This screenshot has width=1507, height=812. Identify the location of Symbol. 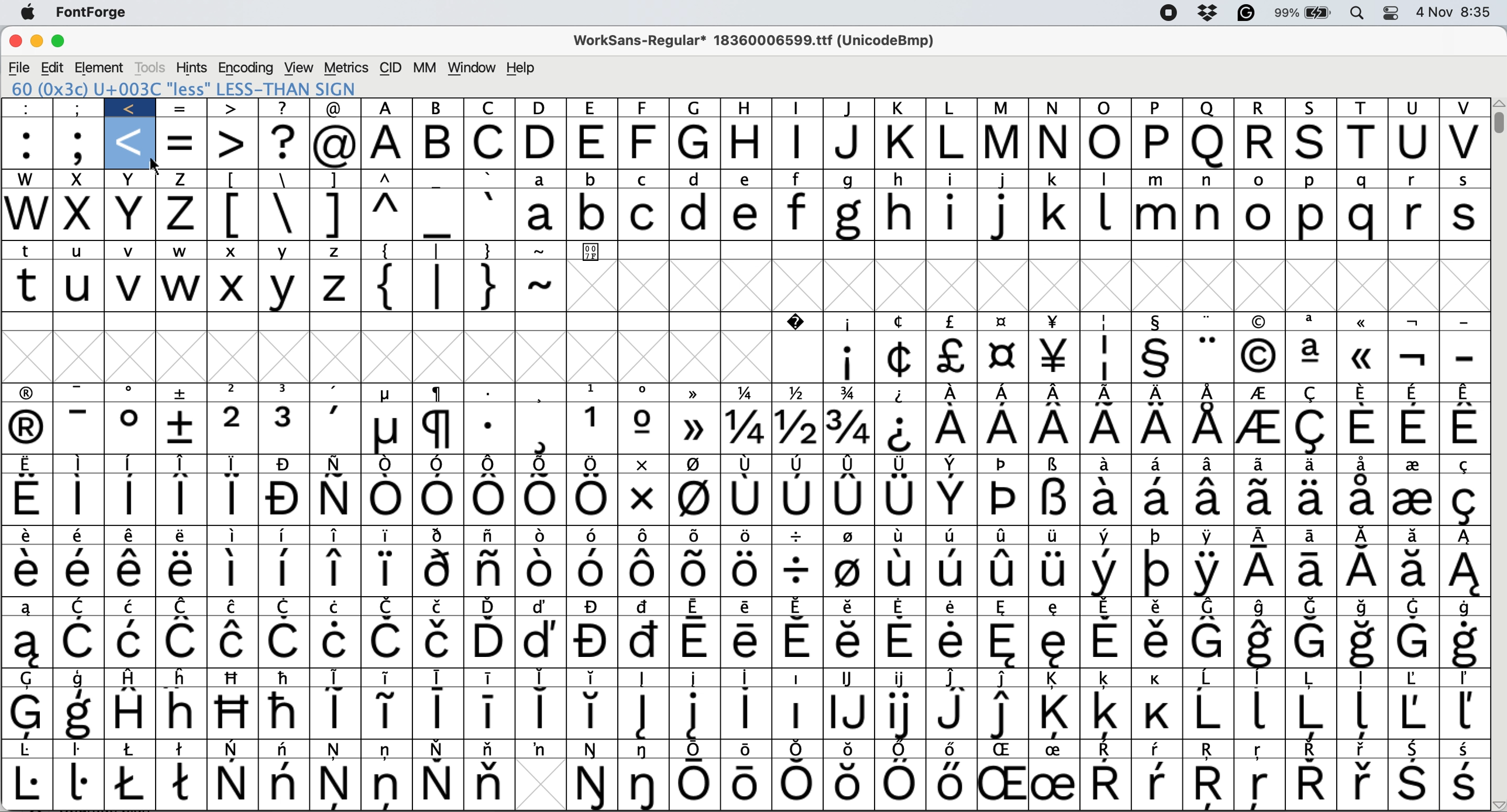
(1312, 785).